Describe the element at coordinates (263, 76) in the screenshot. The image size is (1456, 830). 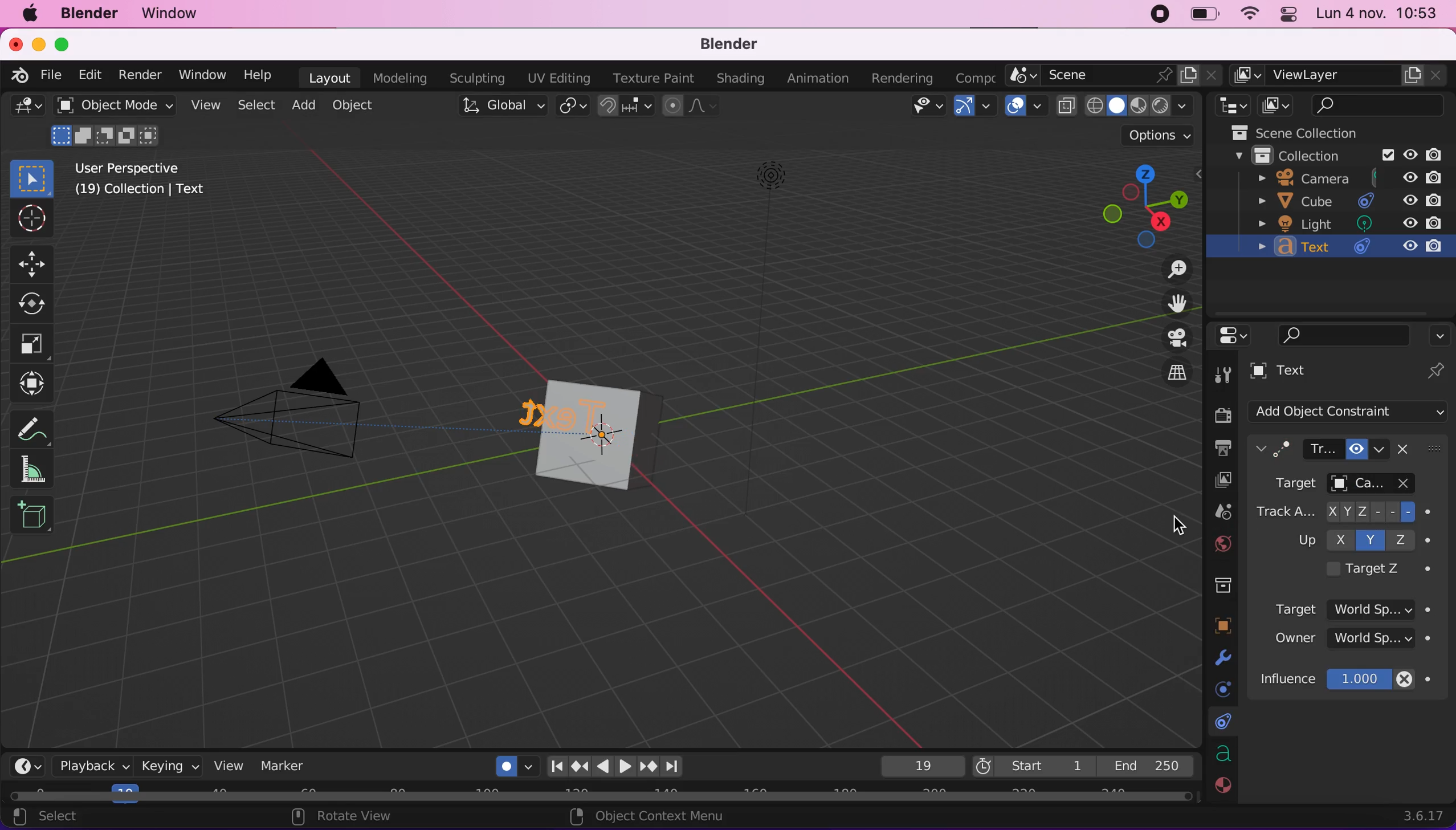
I see `help` at that location.